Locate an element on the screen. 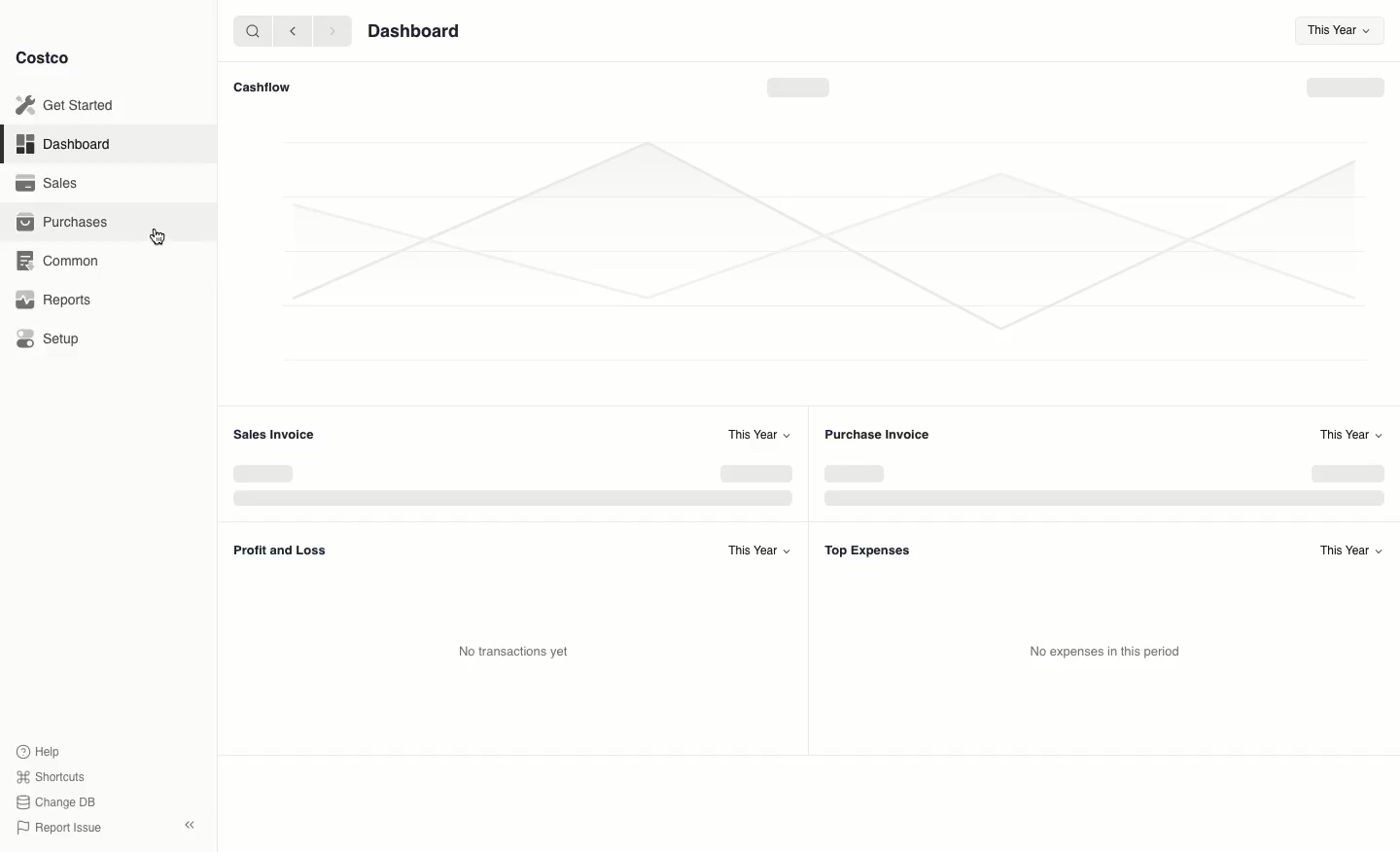 Image resolution: width=1400 pixels, height=852 pixels. “This Year is located at coordinates (756, 435).